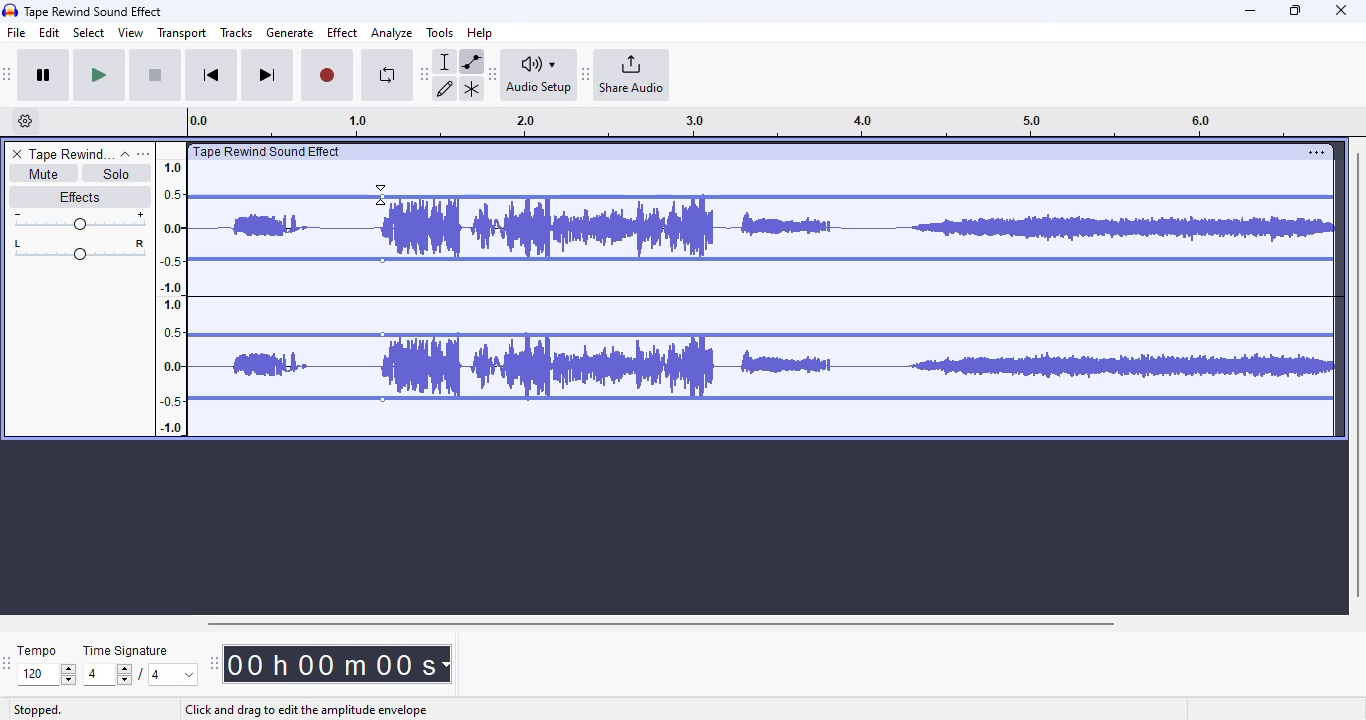 This screenshot has width=1366, height=720. Describe the element at coordinates (342, 32) in the screenshot. I see `effect` at that location.